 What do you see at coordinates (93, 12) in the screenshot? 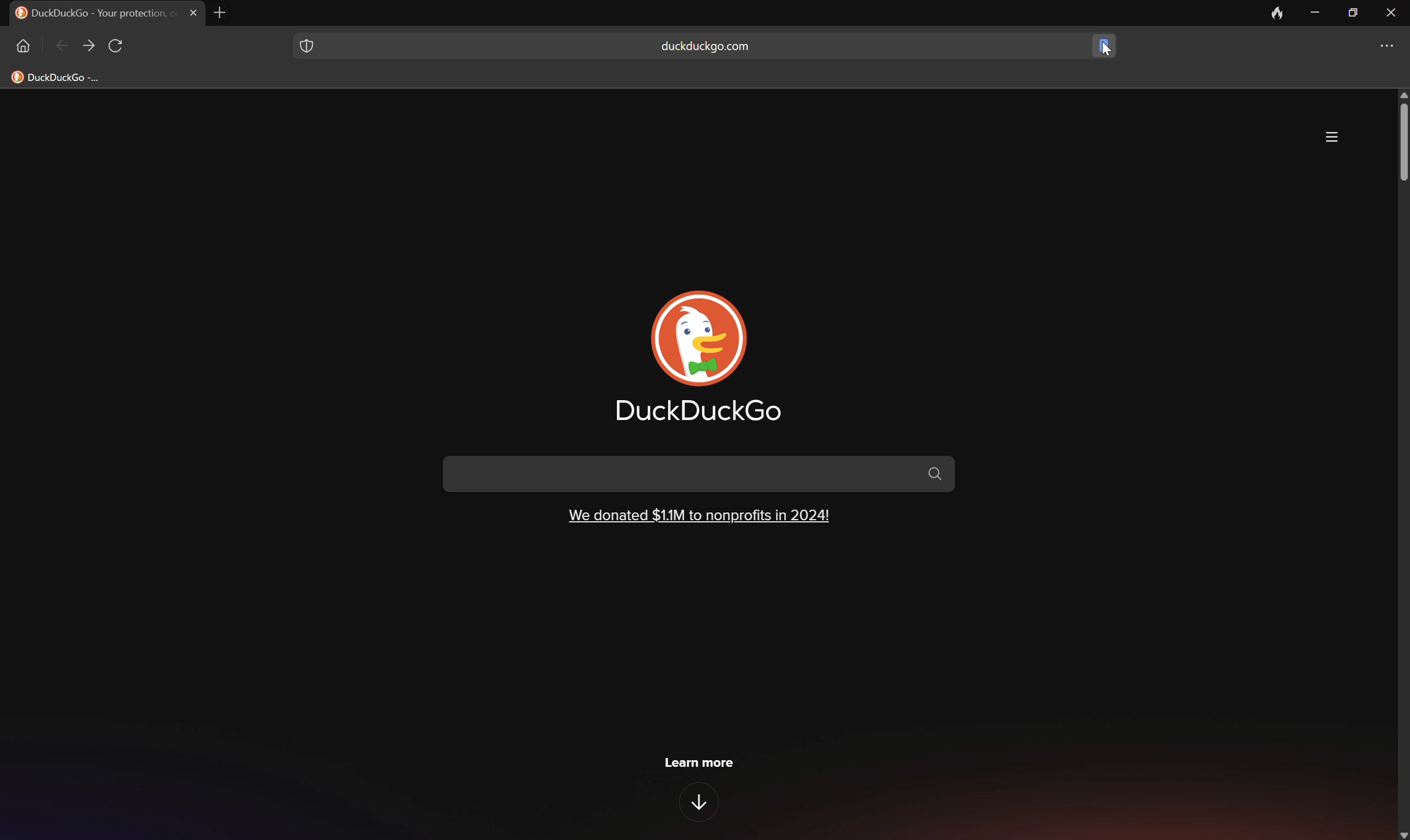
I see `DuckDuckGo - Your Protection` at bounding box center [93, 12].